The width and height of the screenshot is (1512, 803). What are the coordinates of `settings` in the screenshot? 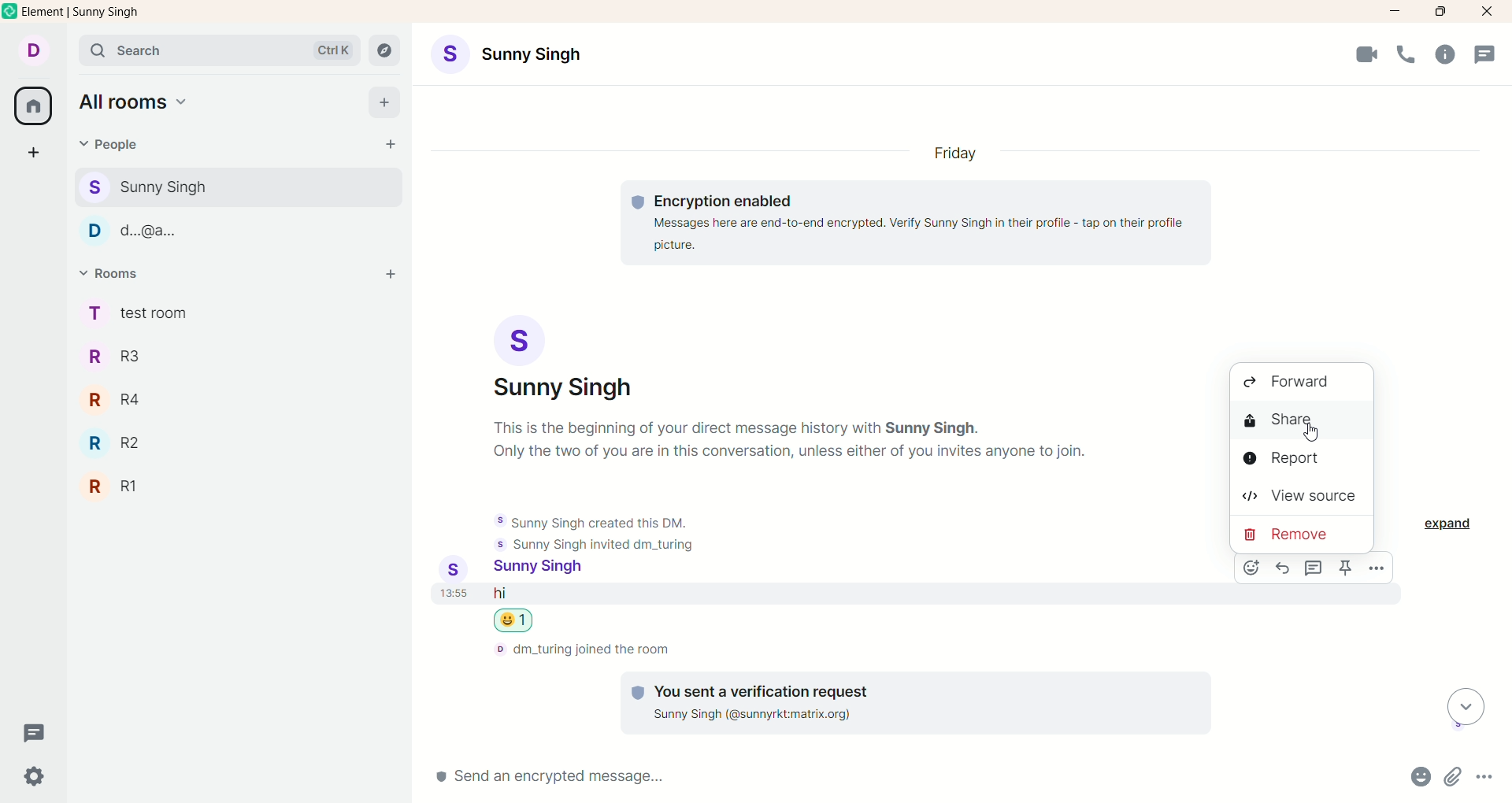 It's located at (40, 777).